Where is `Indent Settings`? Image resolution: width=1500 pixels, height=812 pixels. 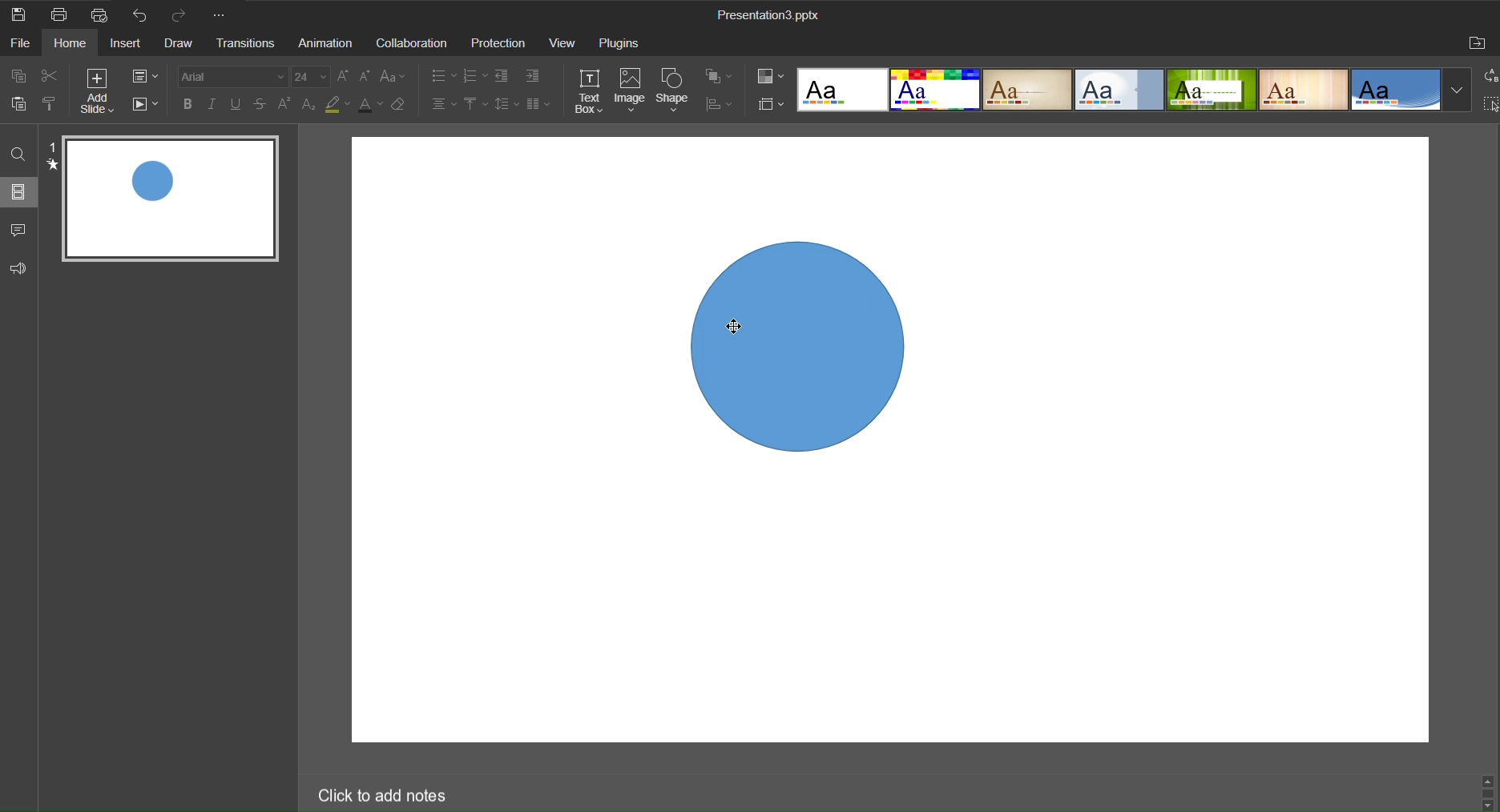 Indent Settings is located at coordinates (535, 74).